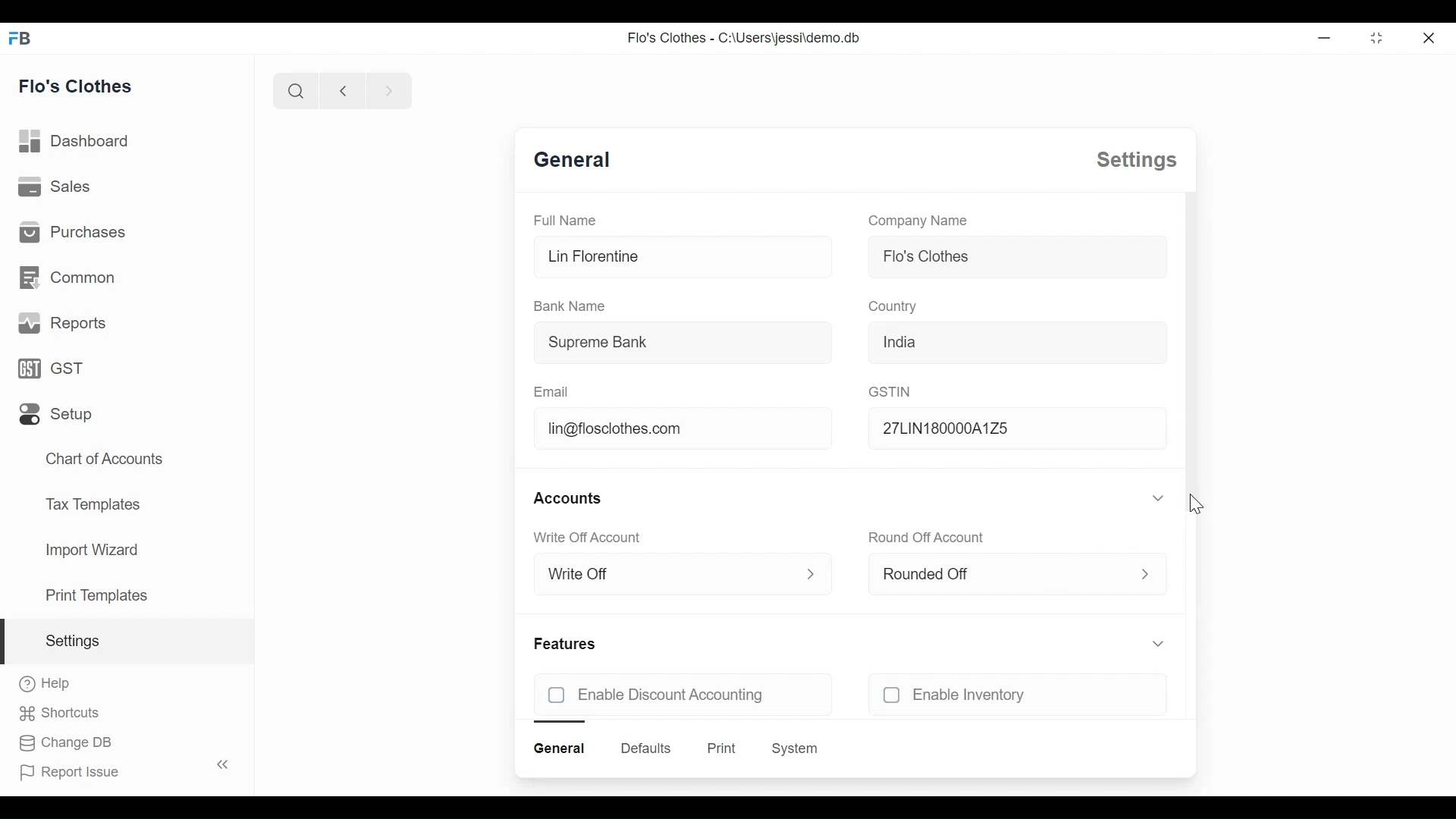 The width and height of the screenshot is (1456, 819). What do you see at coordinates (892, 391) in the screenshot?
I see `GSTIN` at bounding box center [892, 391].